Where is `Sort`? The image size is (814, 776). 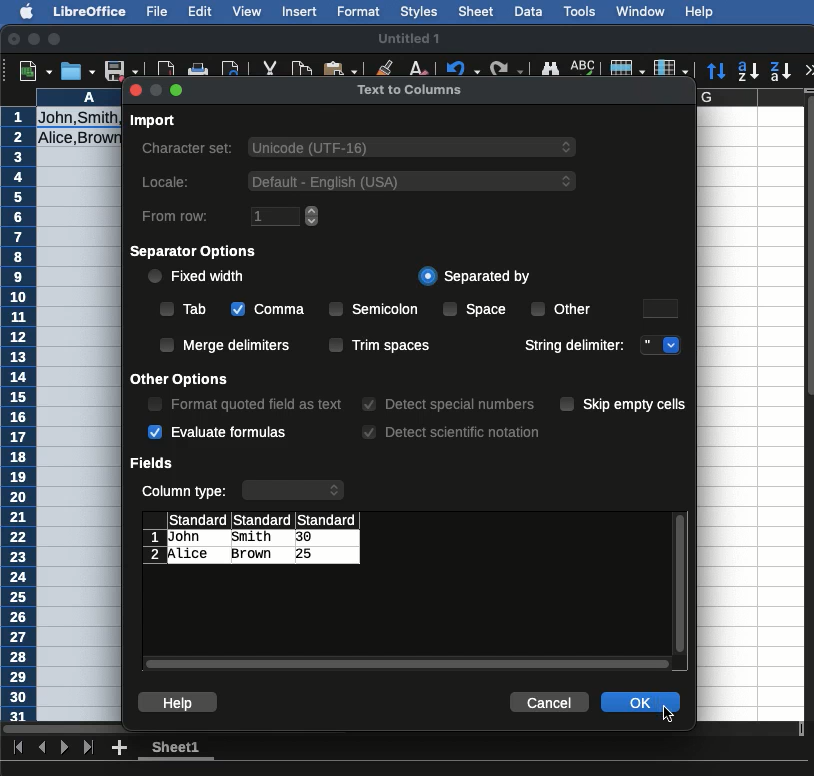 Sort is located at coordinates (717, 71).